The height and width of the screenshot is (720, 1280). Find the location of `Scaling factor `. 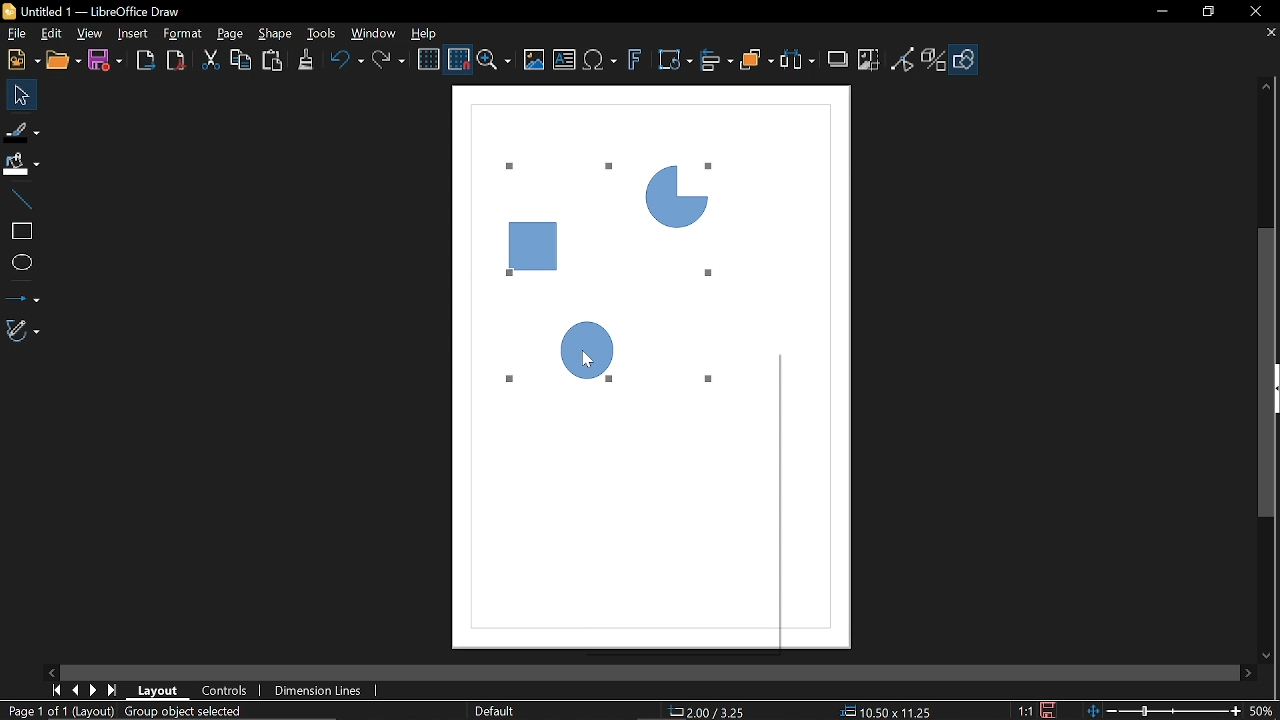

Scaling factor  is located at coordinates (1024, 710).